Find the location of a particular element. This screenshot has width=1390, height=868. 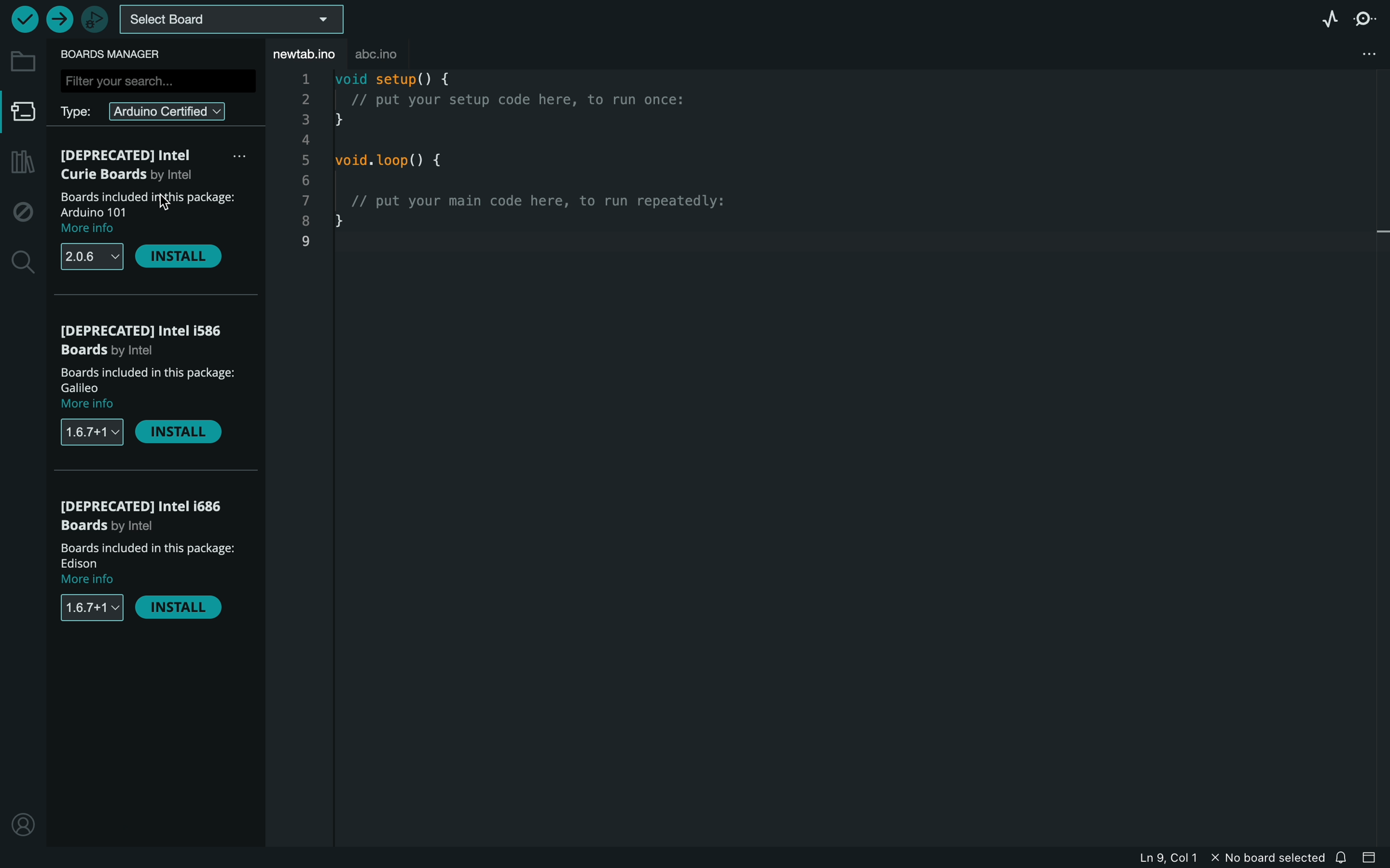

versions is located at coordinates (94, 256).